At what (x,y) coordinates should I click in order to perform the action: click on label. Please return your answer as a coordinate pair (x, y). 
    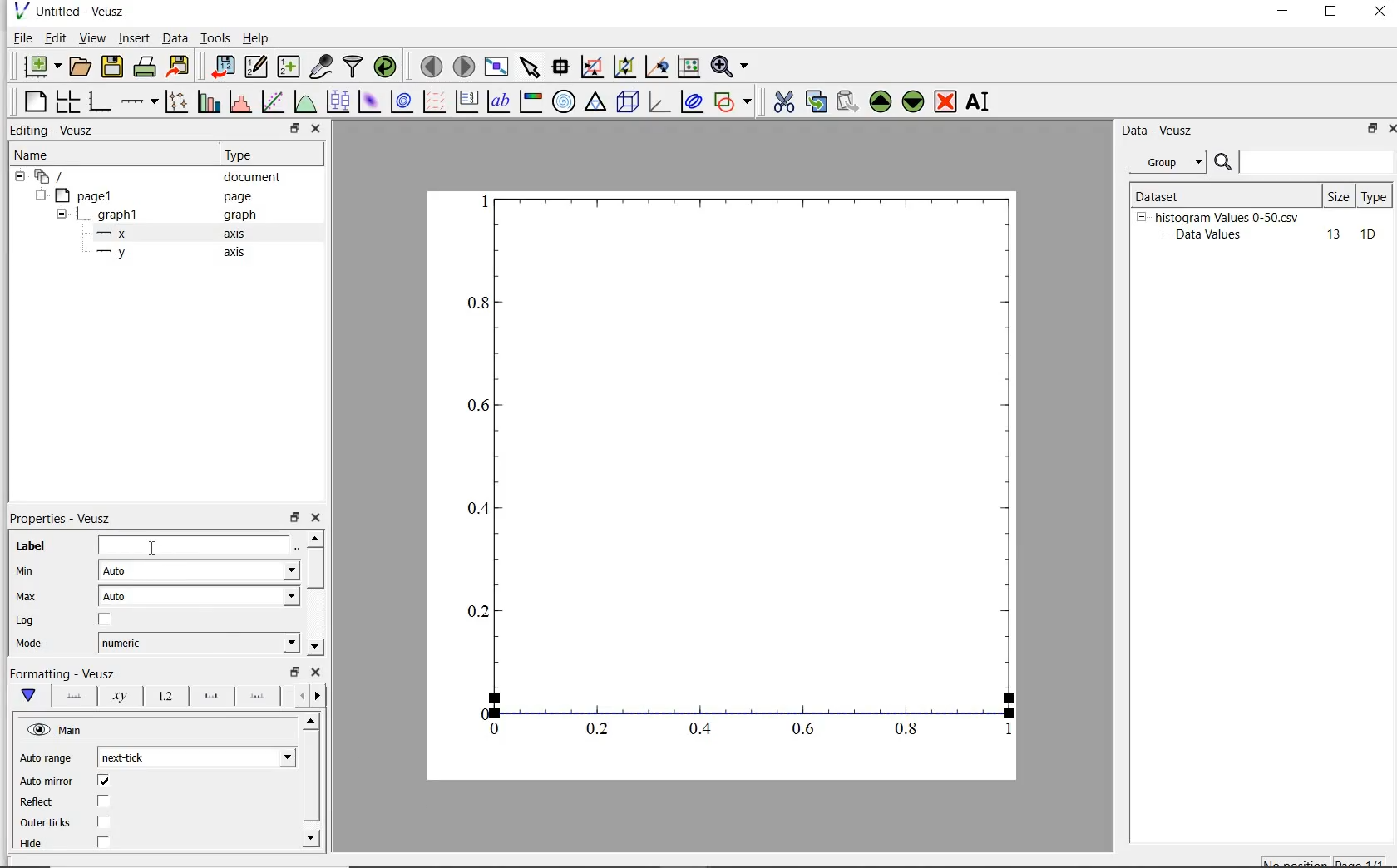
    Looking at the image, I should click on (31, 546).